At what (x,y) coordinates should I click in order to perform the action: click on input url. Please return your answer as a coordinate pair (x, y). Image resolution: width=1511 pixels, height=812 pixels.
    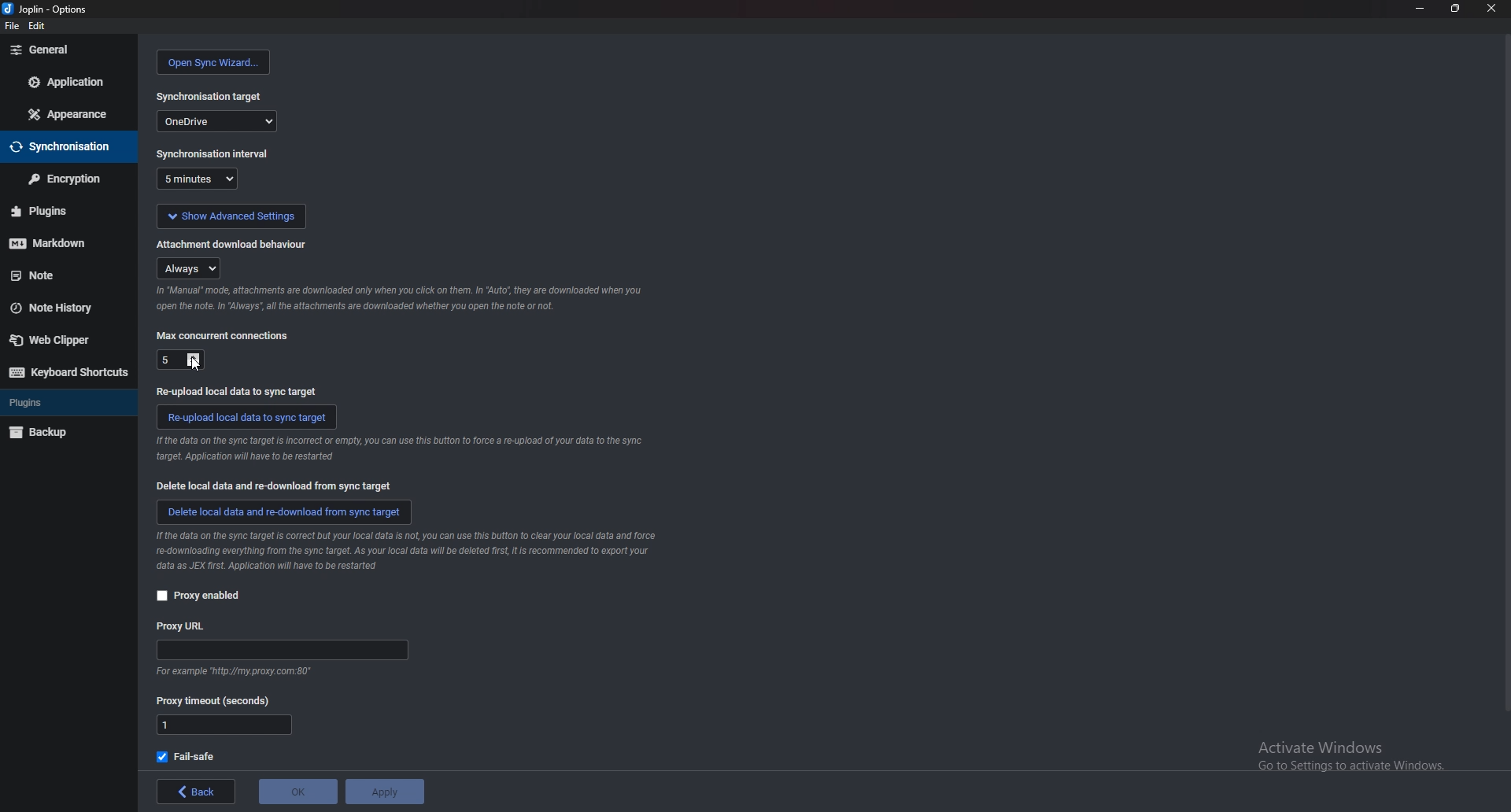
    Looking at the image, I should click on (280, 650).